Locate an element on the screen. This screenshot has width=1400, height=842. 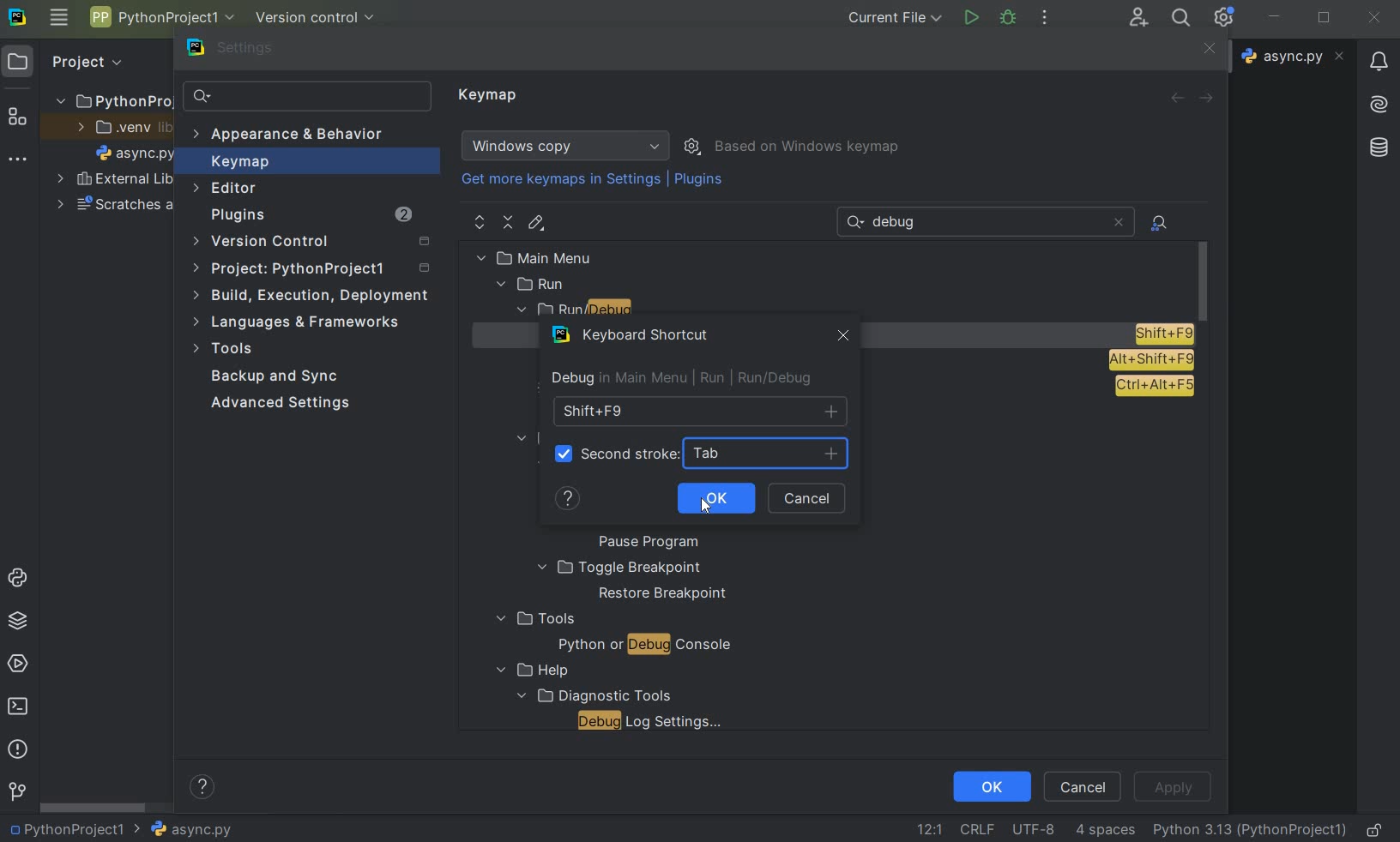
system logo is located at coordinates (16, 15).